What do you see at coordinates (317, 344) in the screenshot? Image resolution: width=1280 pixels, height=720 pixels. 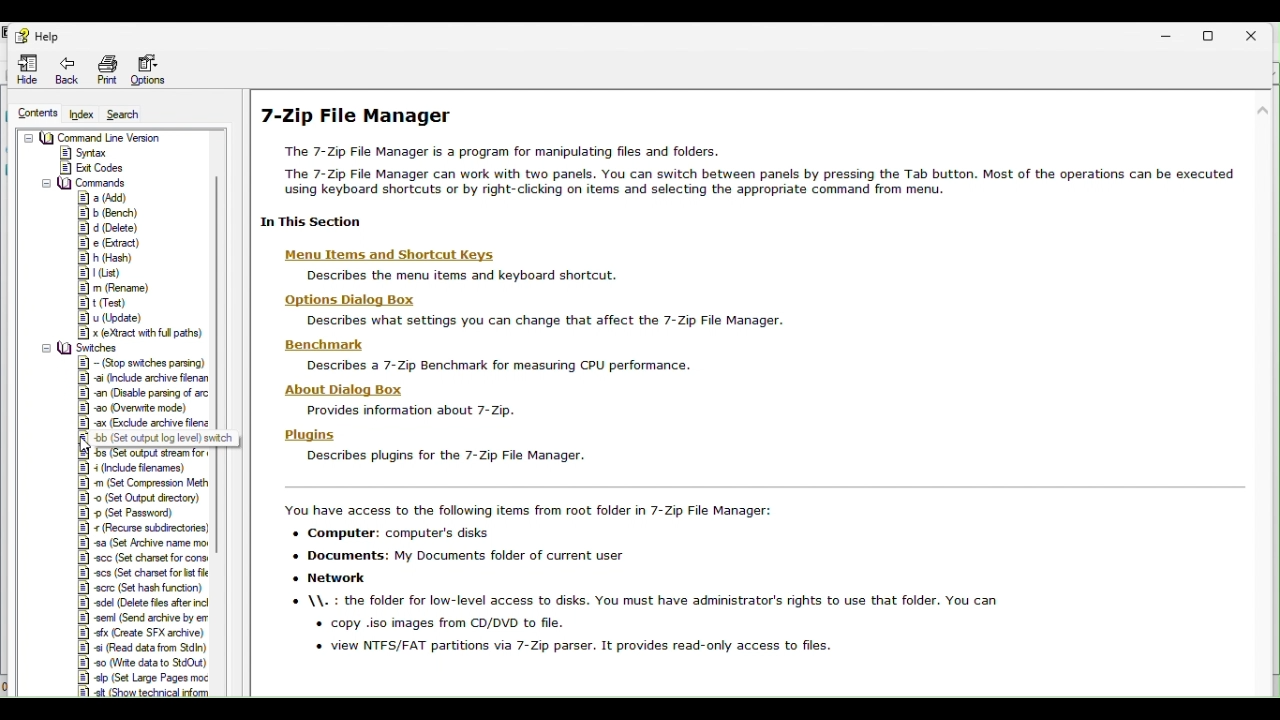 I see `Benchmark` at bounding box center [317, 344].